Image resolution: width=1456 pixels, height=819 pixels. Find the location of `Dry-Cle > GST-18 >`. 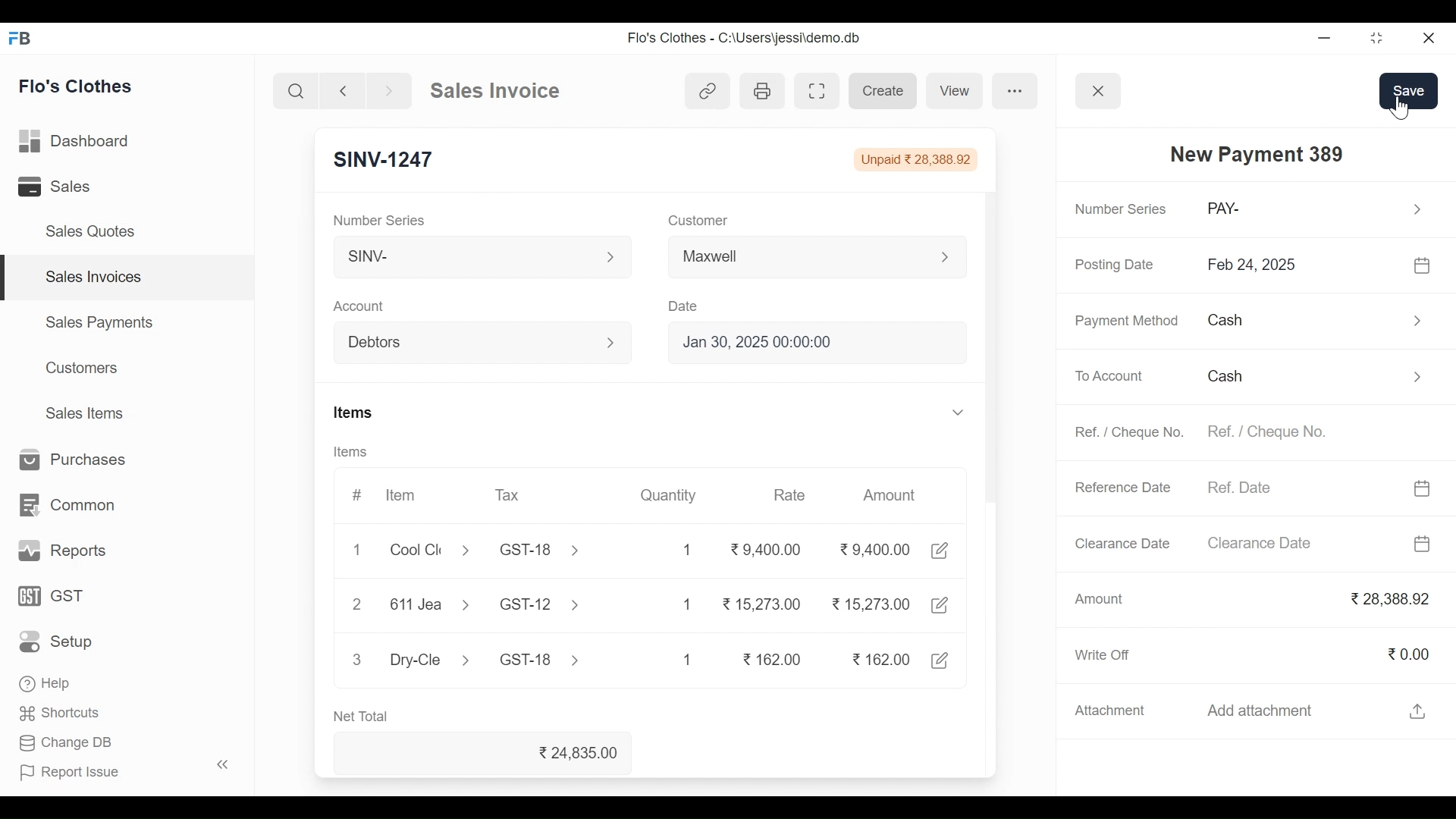

Dry-Cle > GST-18 > is located at coordinates (485, 660).